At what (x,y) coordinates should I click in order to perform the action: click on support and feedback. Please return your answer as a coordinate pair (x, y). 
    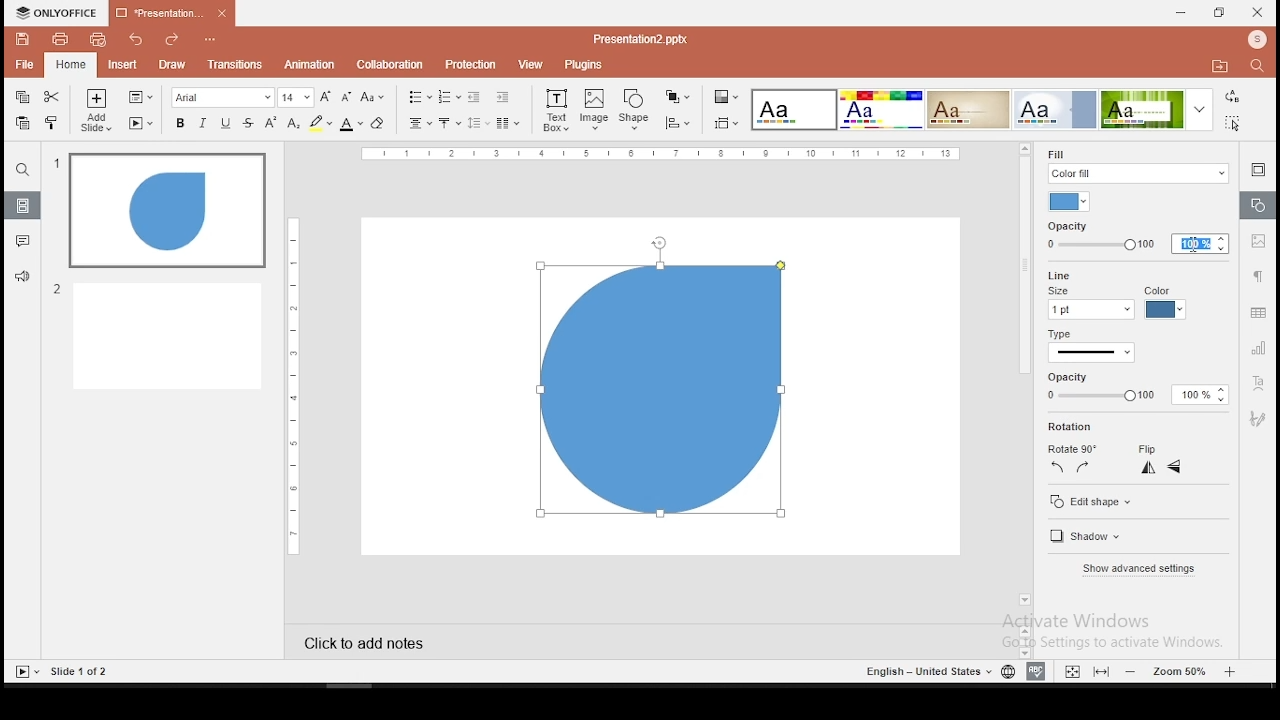
    Looking at the image, I should click on (22, 276).